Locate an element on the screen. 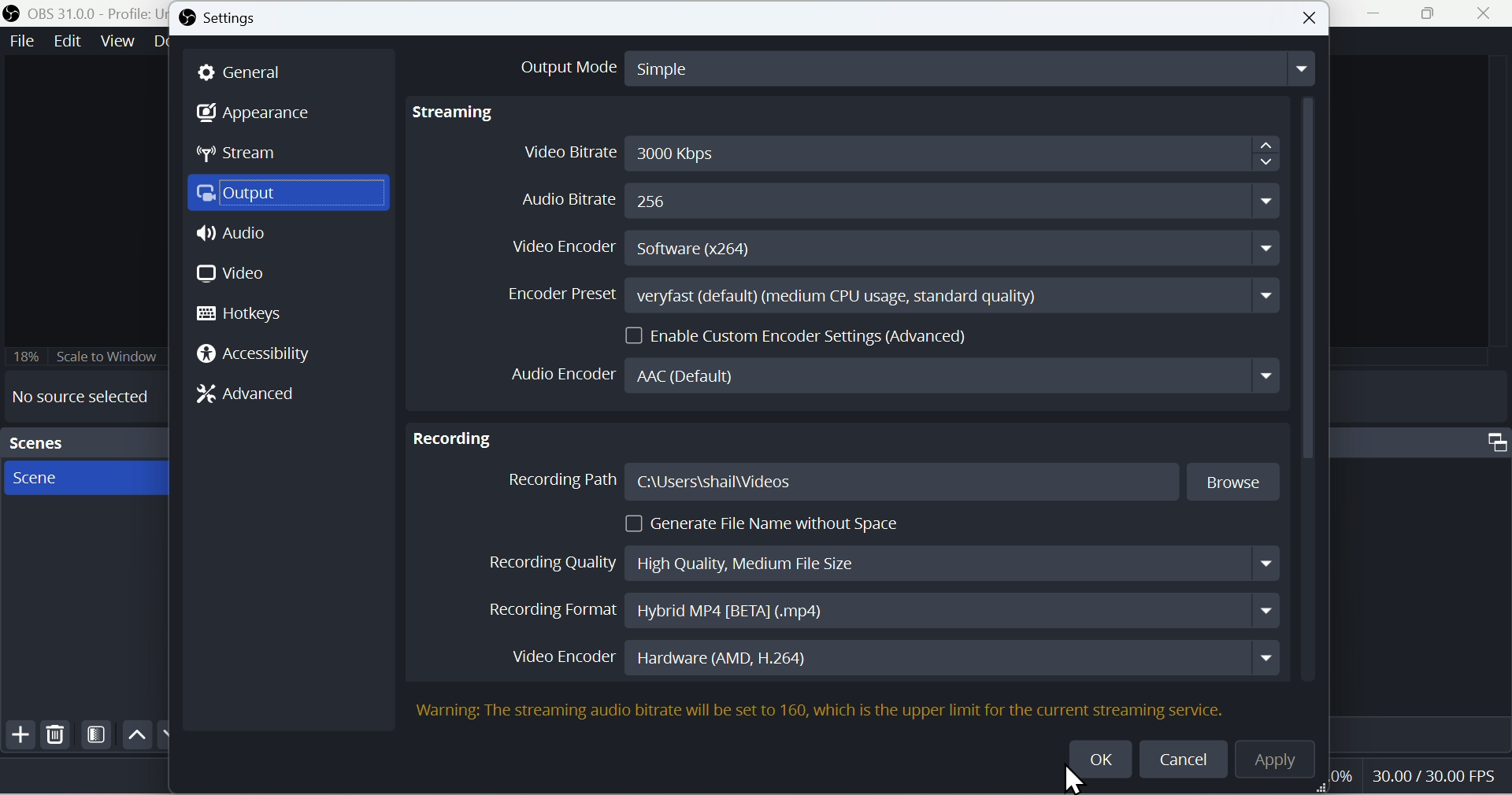 The image size is (1512, 795). Accessi bility is located at coordinates (263, 357).